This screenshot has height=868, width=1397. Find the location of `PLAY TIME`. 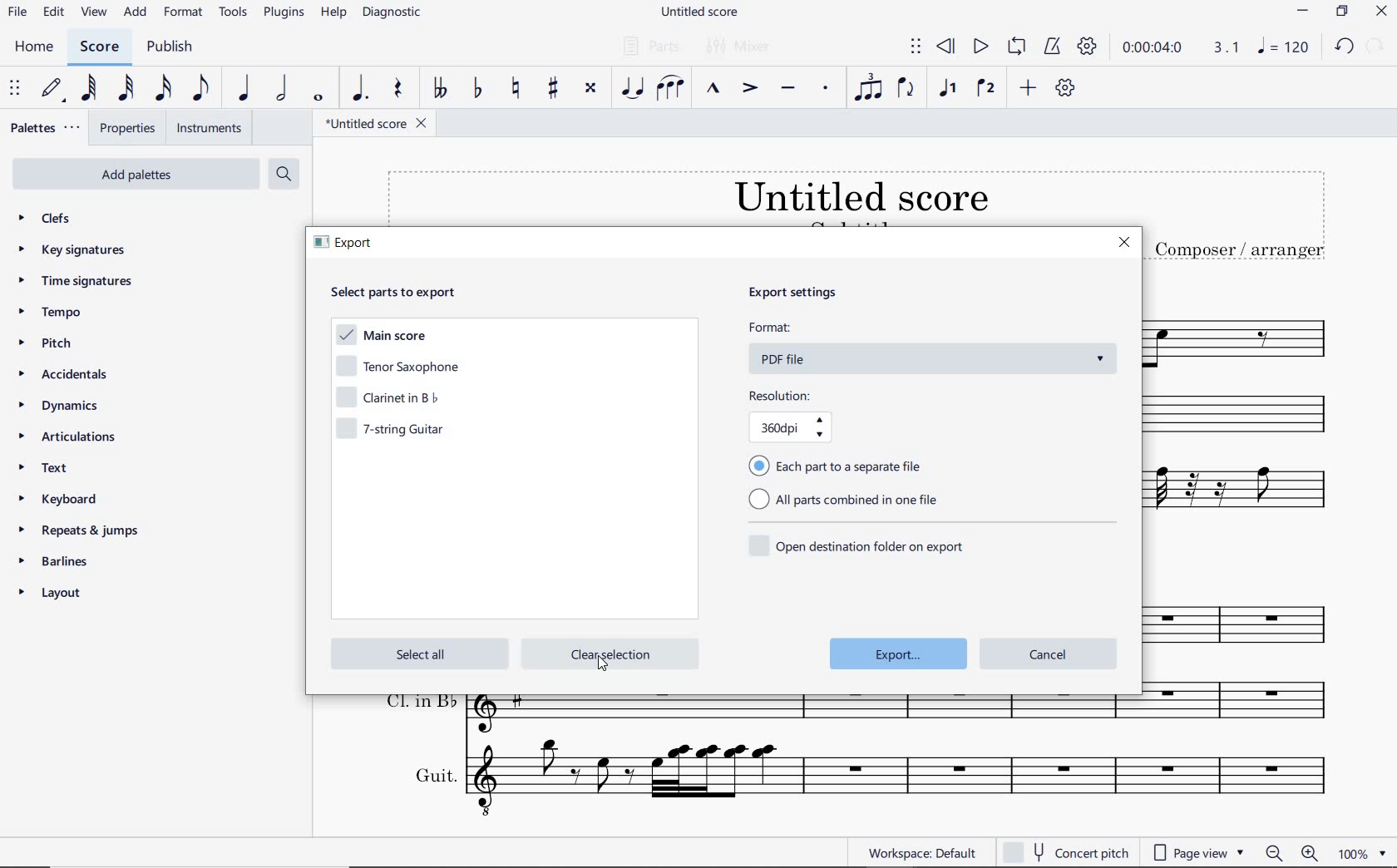

PLAY TIME is located at coordinates (1181, 48).